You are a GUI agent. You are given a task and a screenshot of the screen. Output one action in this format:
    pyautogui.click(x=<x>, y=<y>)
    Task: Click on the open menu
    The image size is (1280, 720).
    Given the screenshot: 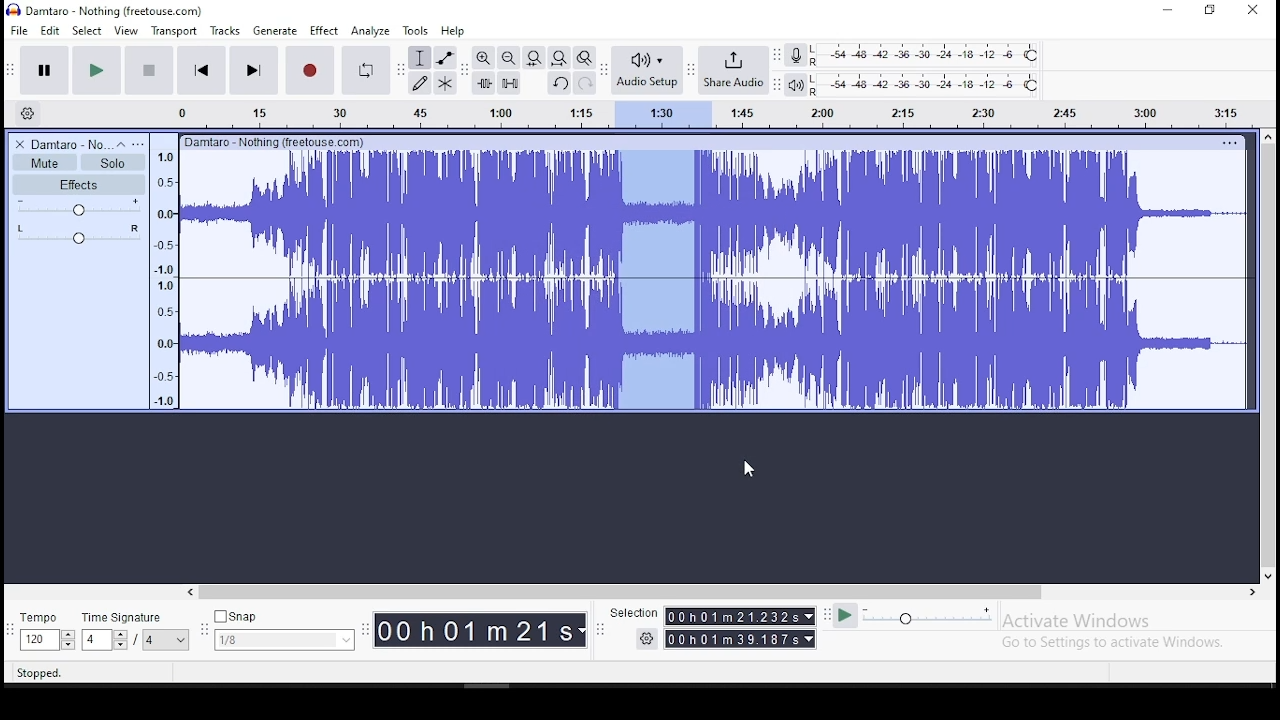 What is the action you would take?
    pyautogui.click(x=138, y=144)
    